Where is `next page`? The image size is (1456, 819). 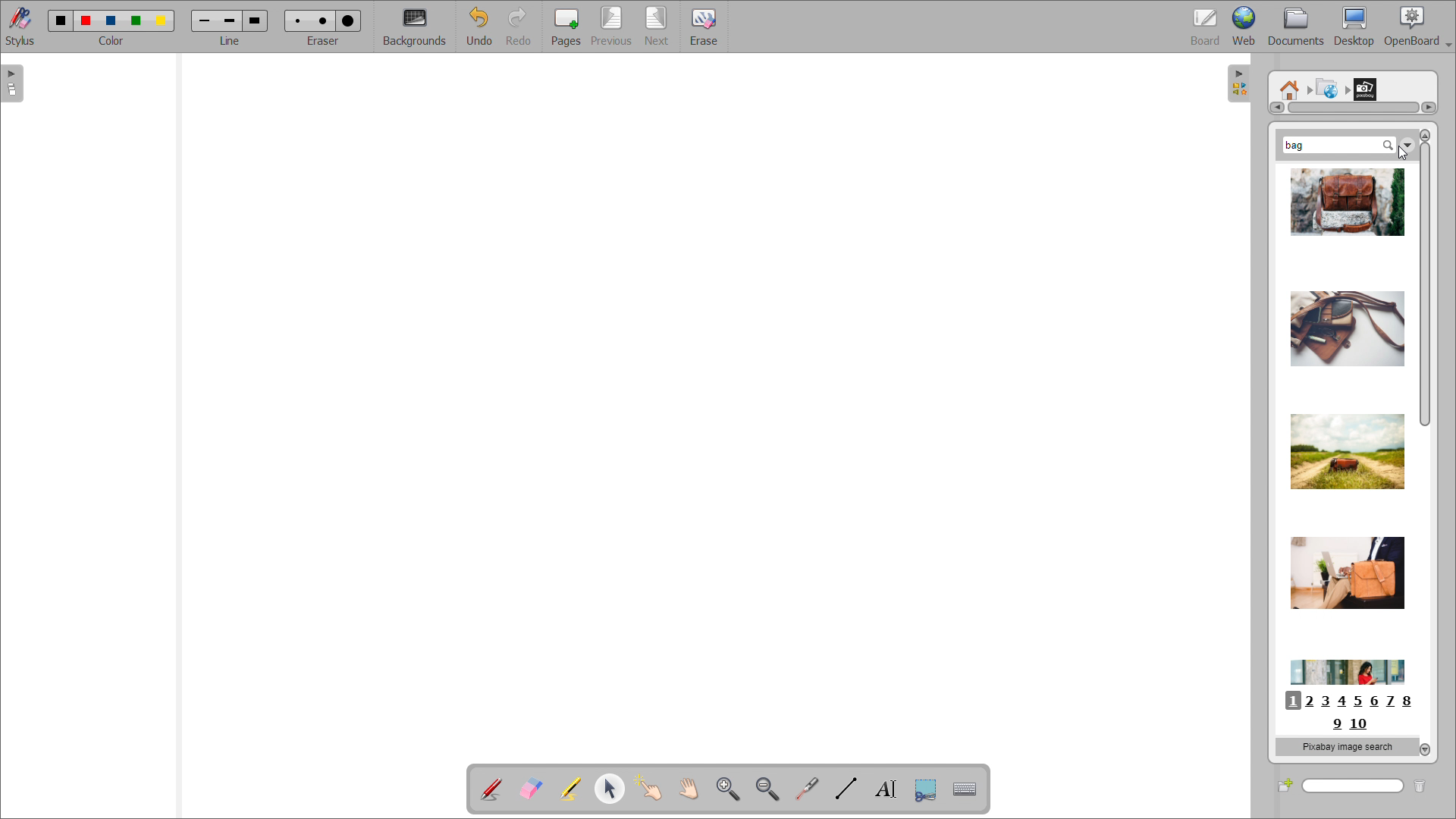
next page is located at coordinates (658, 26).